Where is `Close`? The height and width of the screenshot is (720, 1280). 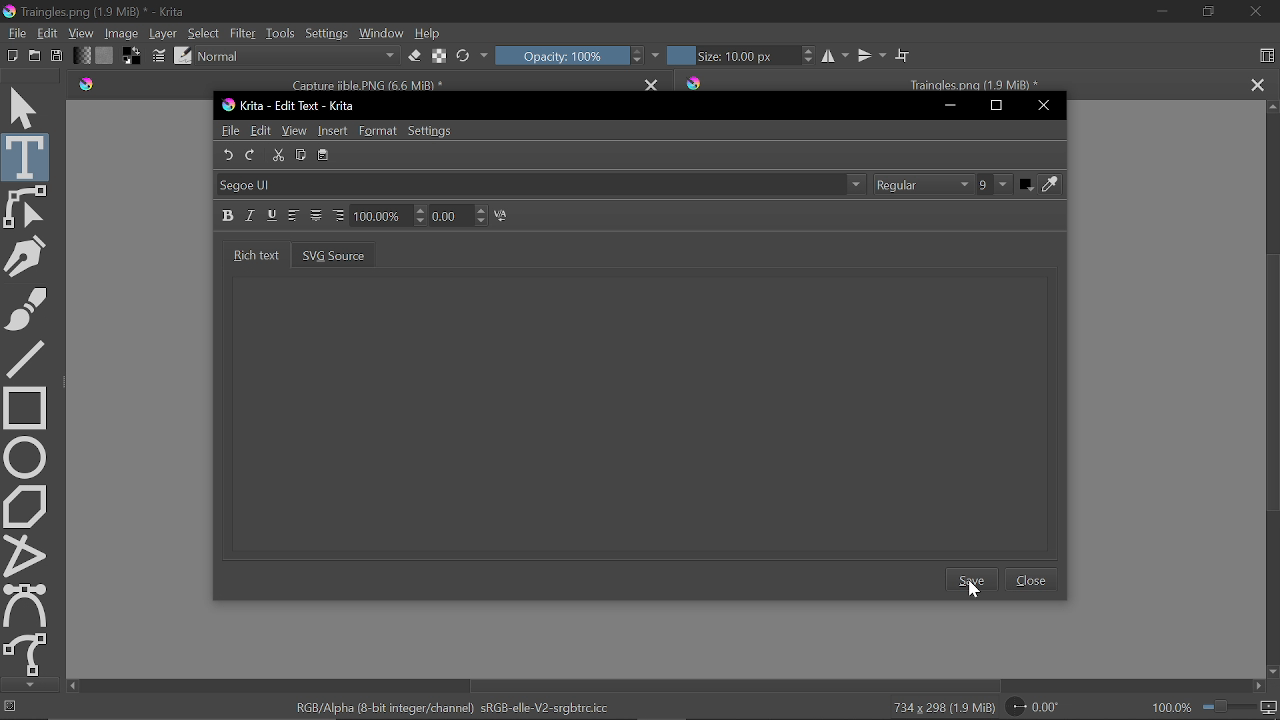
Close is located at coordinates (1046, 105).